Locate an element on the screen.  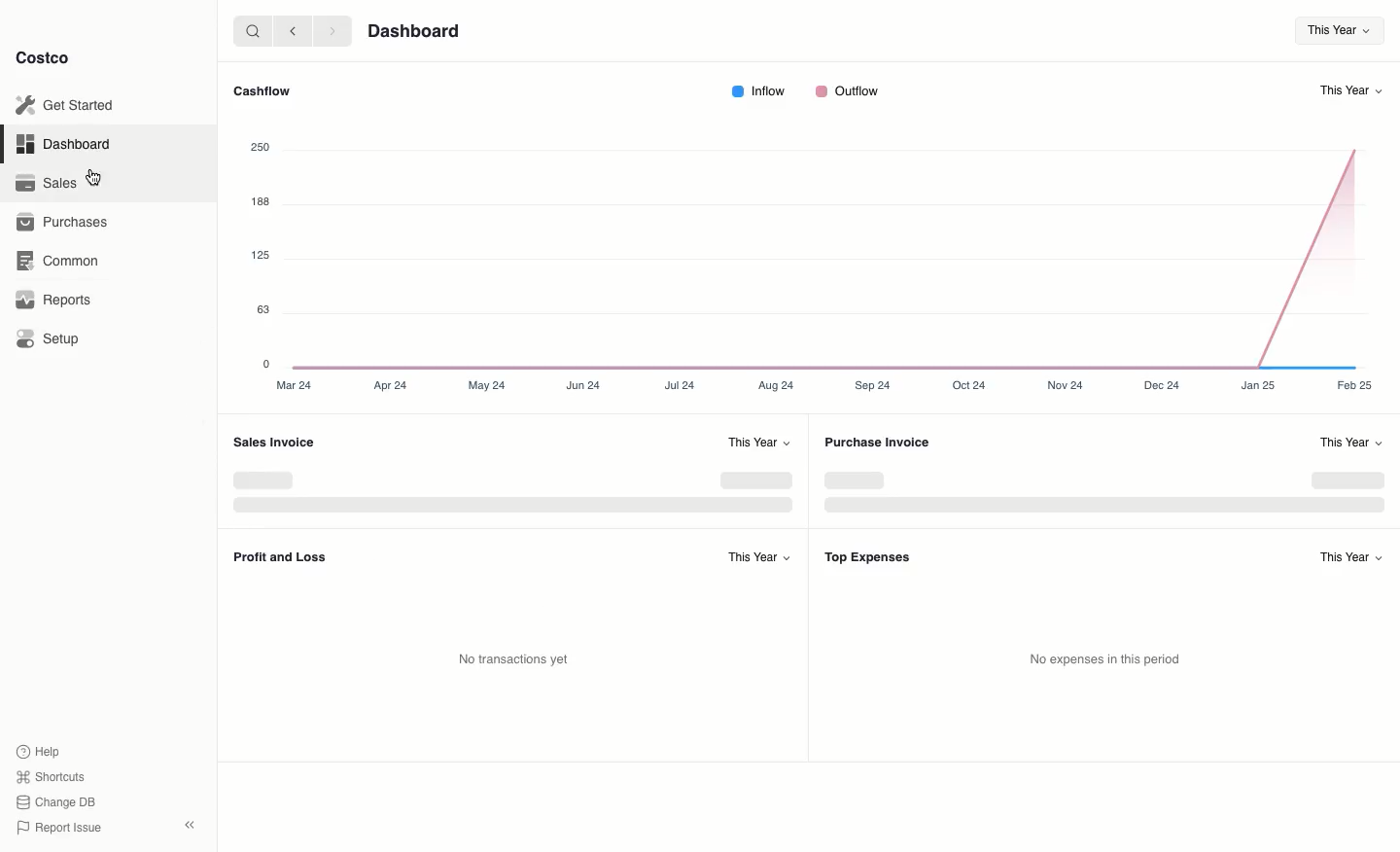
Reports is located at coordinates (54, 298).